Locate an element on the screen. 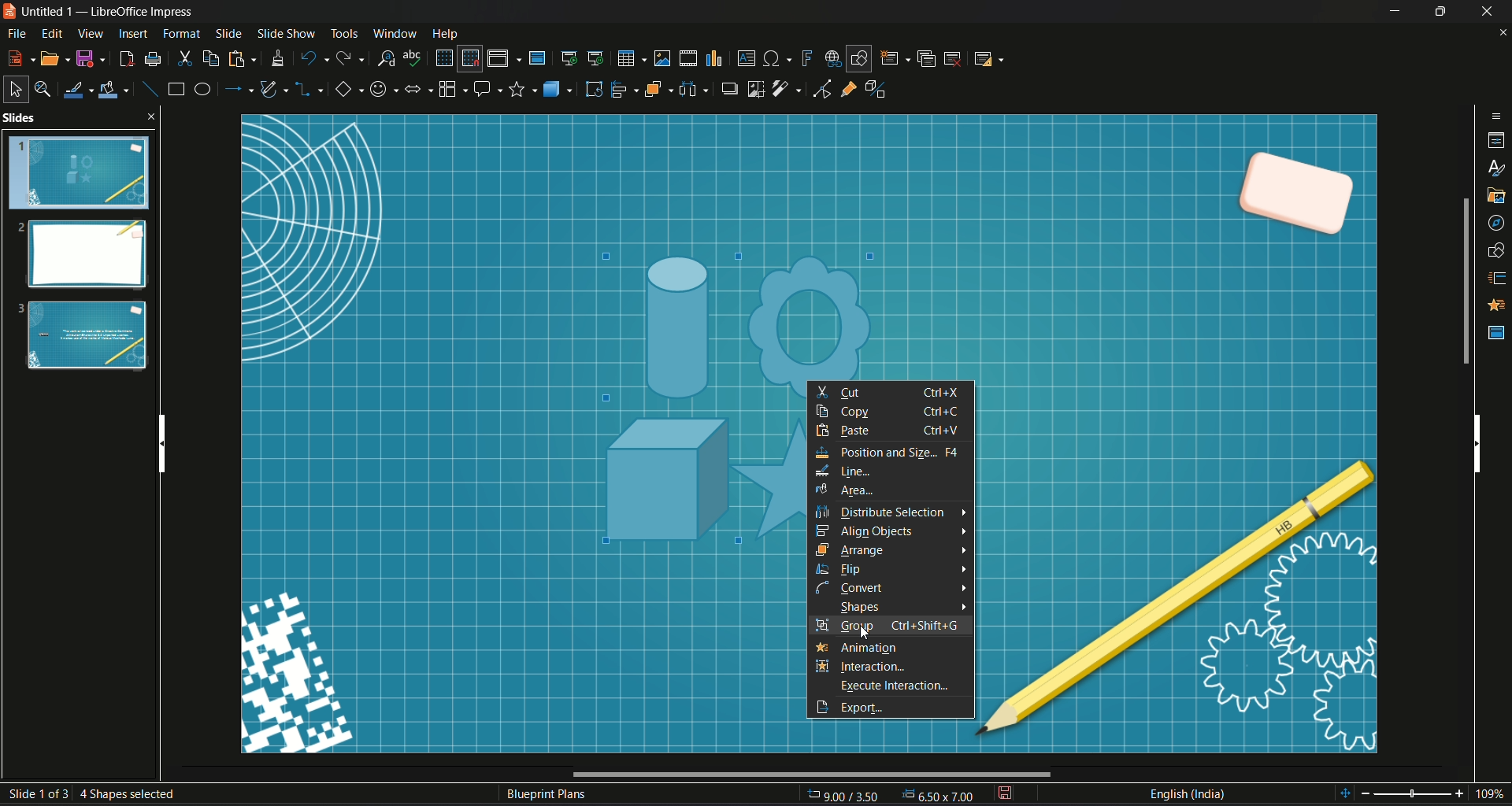 The image size is (1512, 806). styles is located at coordinates (1498, 170).